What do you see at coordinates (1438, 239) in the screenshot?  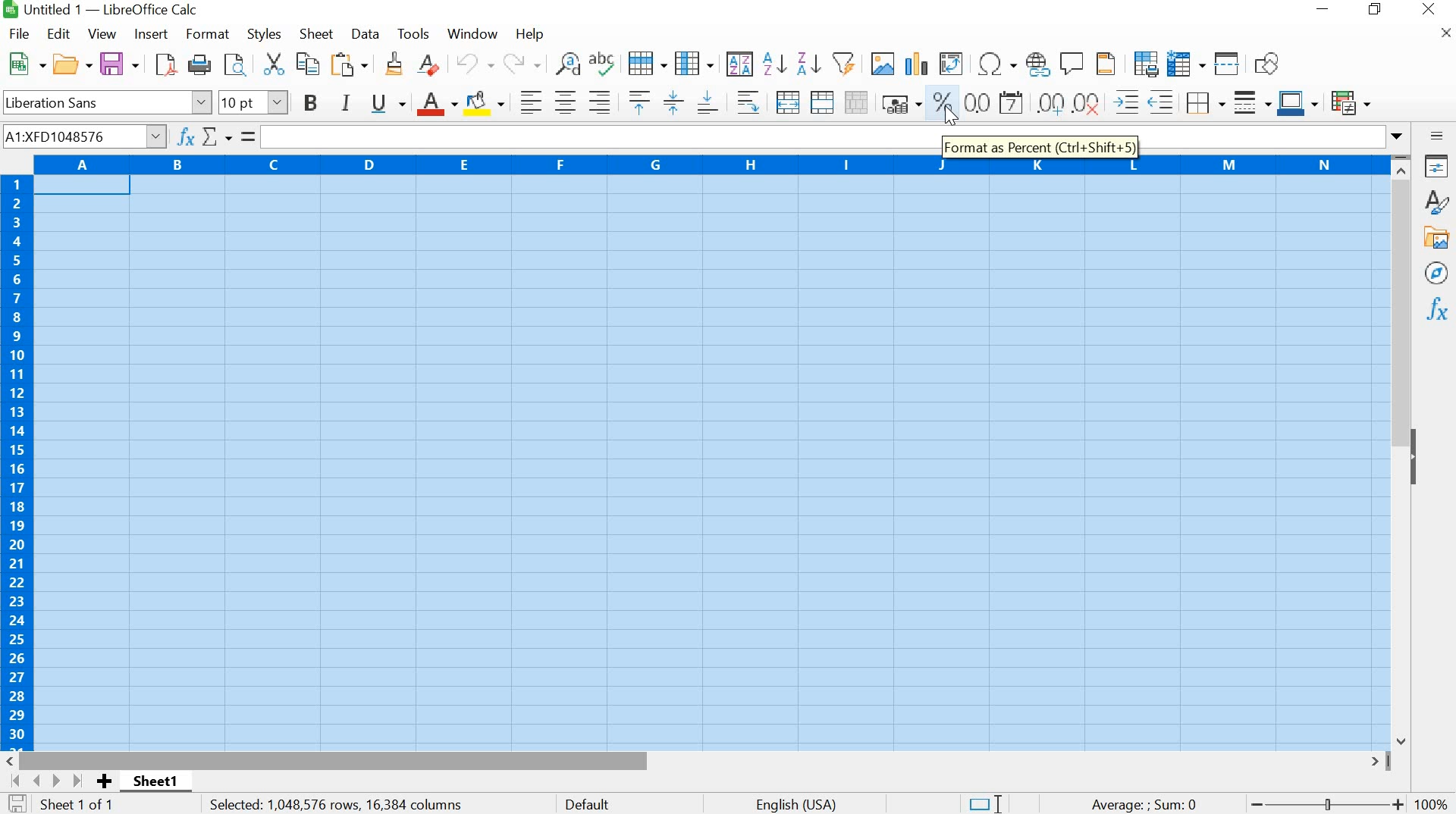 I see `Gallery` at bounding box center [1438, 239].